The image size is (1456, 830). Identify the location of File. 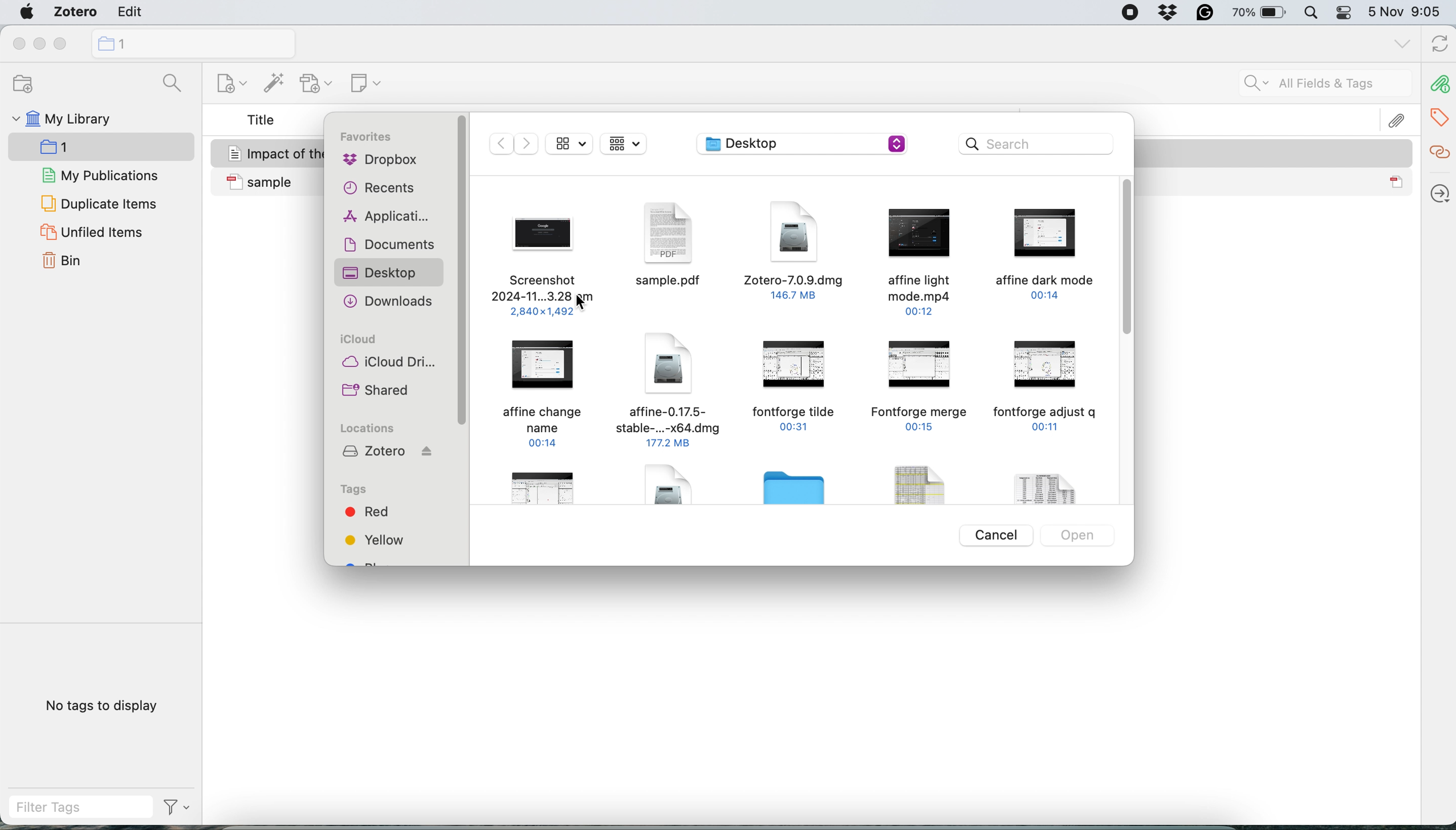
(1052, 482).